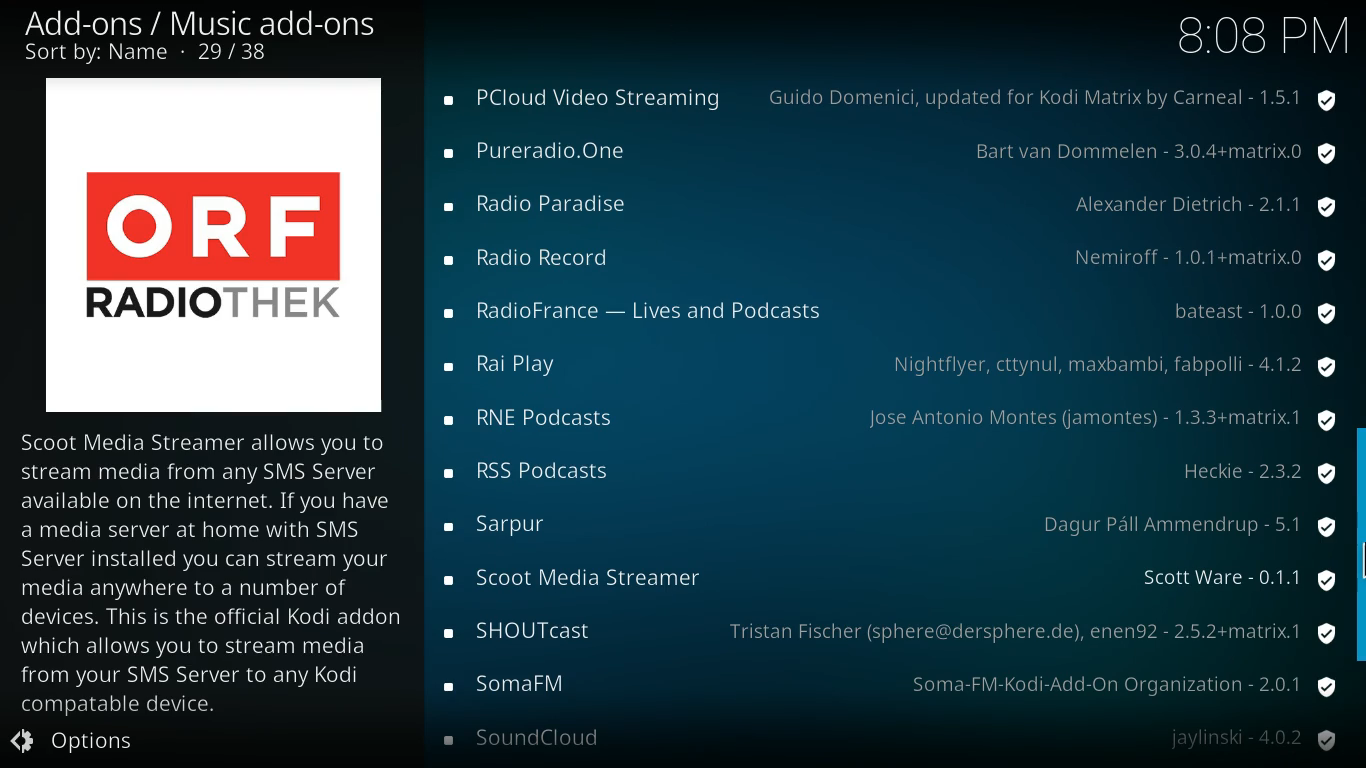 This screenshot has width=1366, height=768. What do you see at coordinates (1060, 96) in the screenshot?
I see `provider` at bounding box center [1060, 96].